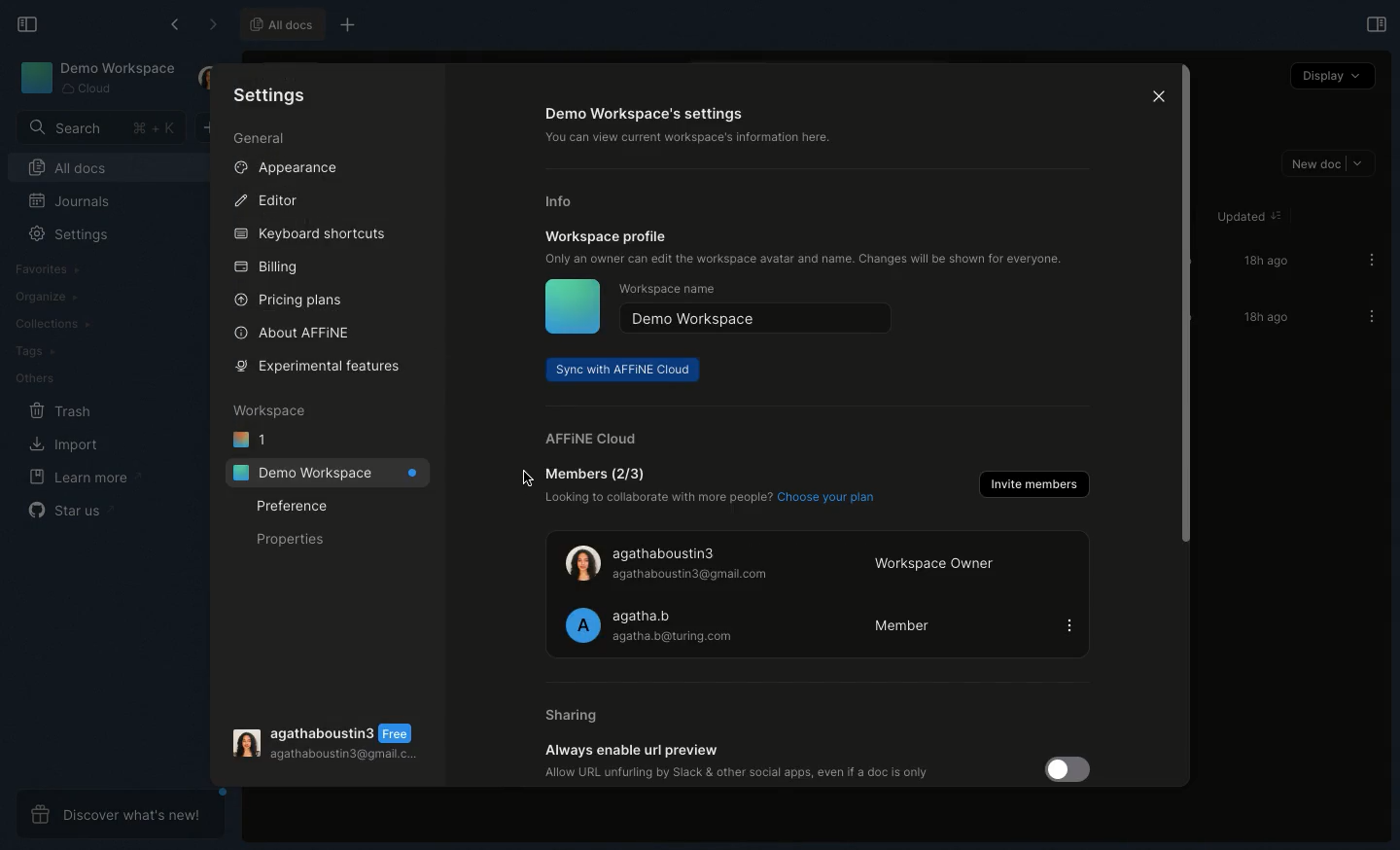 The width and height of the screenshot is (1400, 850). What do you see at coordinates (1260, 318) in the screenshot?
I see `18h ago` at bounding box center [1260, 318].